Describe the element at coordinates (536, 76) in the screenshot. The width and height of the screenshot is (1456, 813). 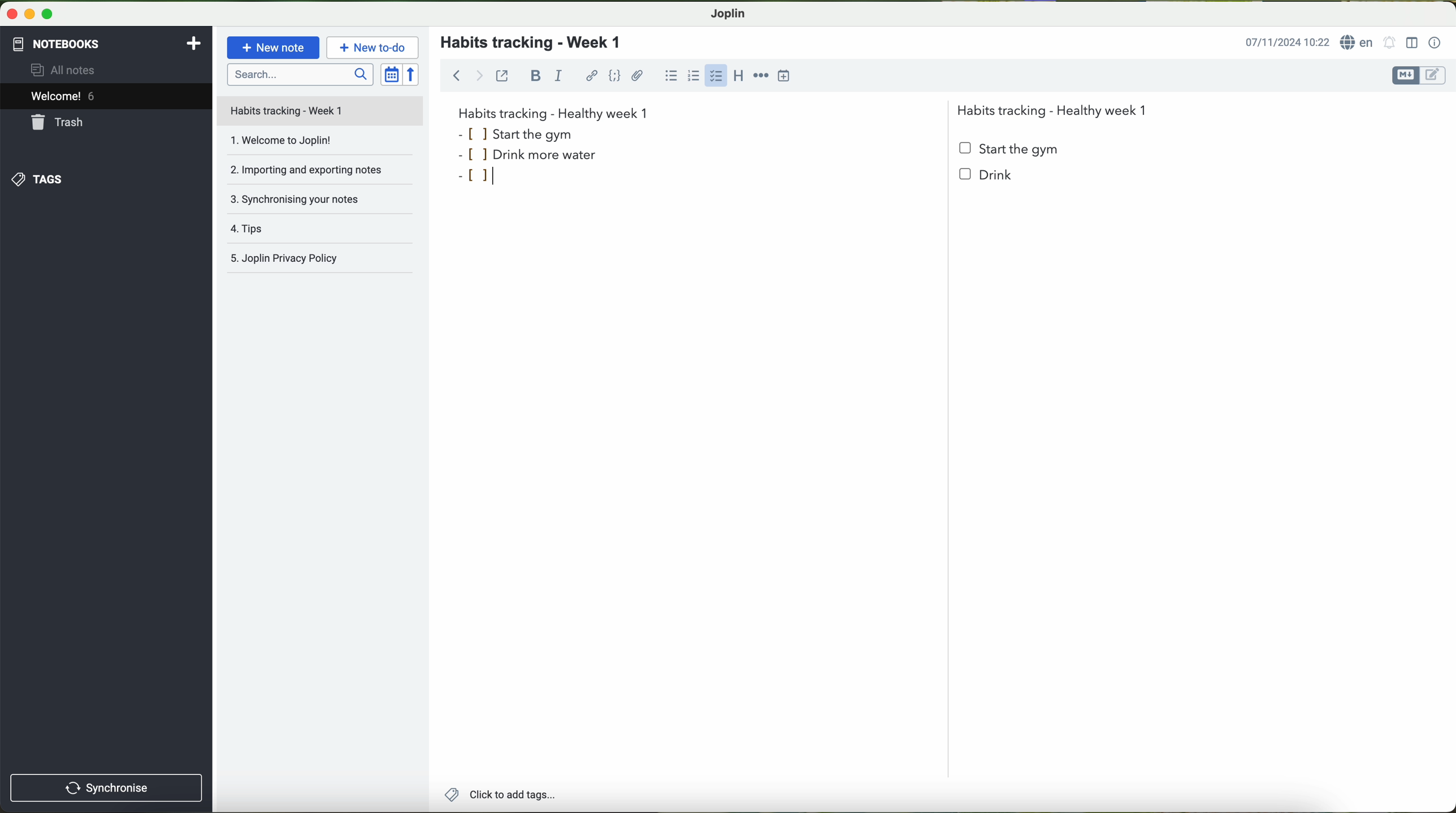
I see `bold` at that location.